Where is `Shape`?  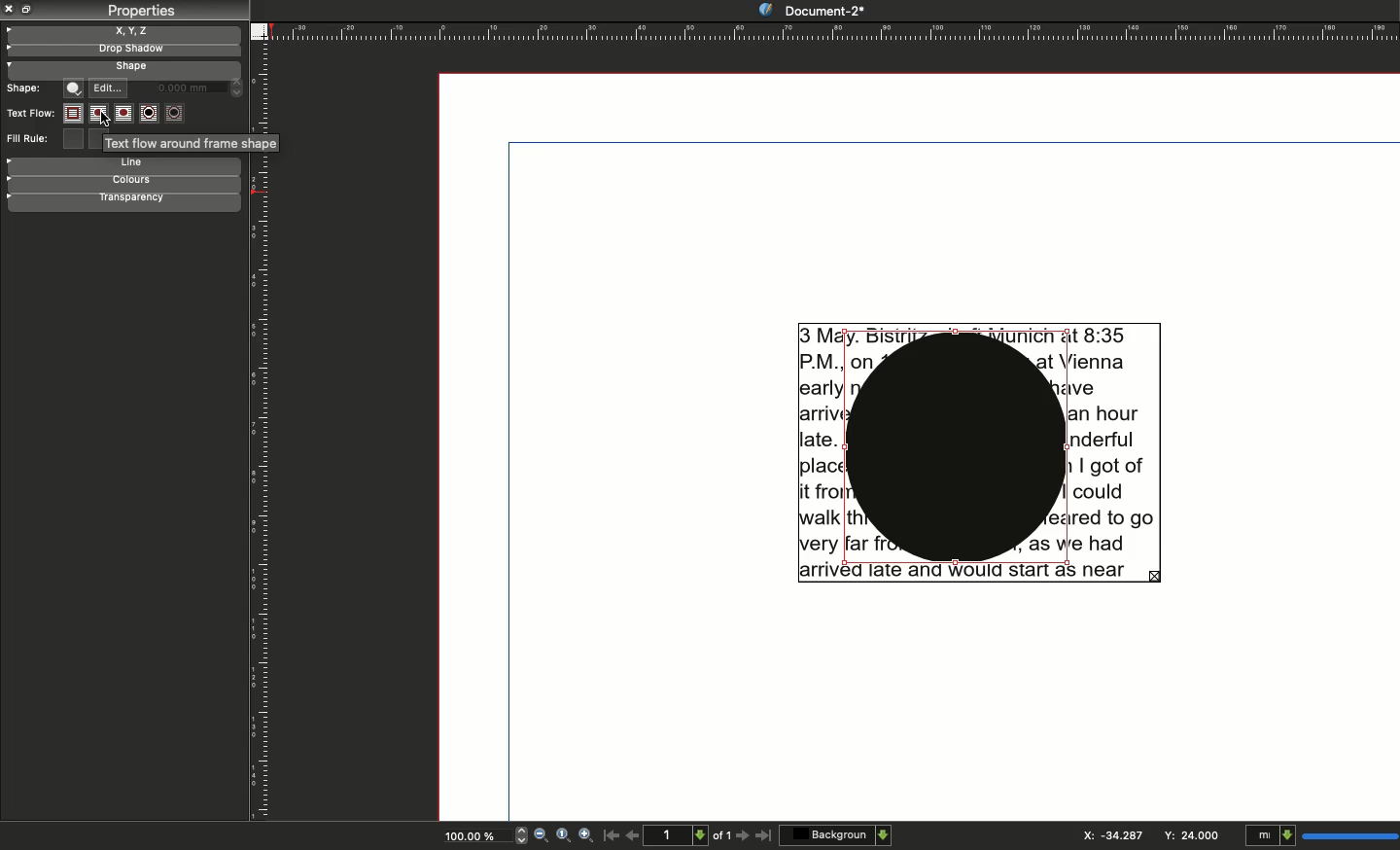 Shape is located at coordinates (26, 89).